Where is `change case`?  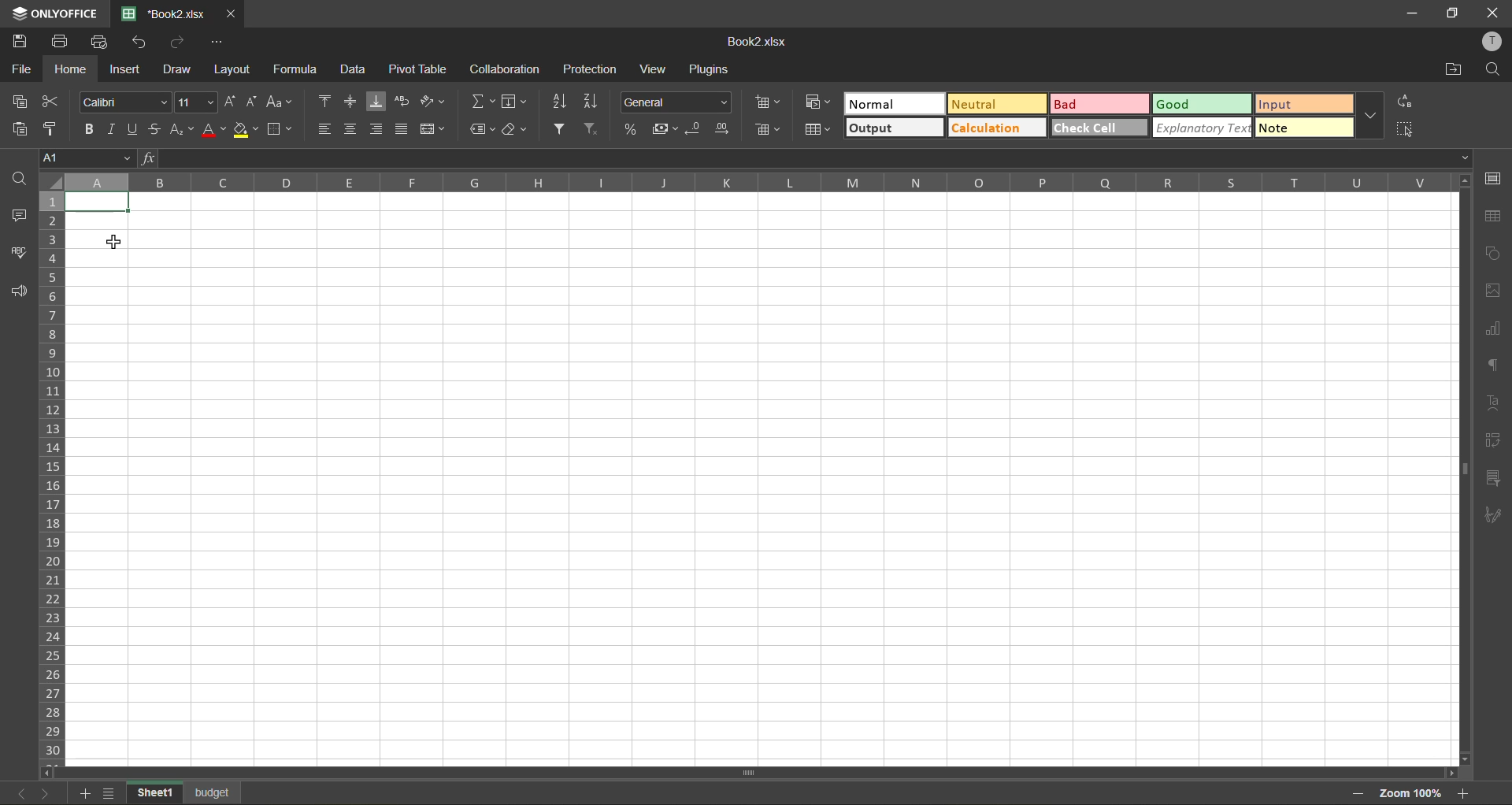
change case is located at coordinates (283, 102).